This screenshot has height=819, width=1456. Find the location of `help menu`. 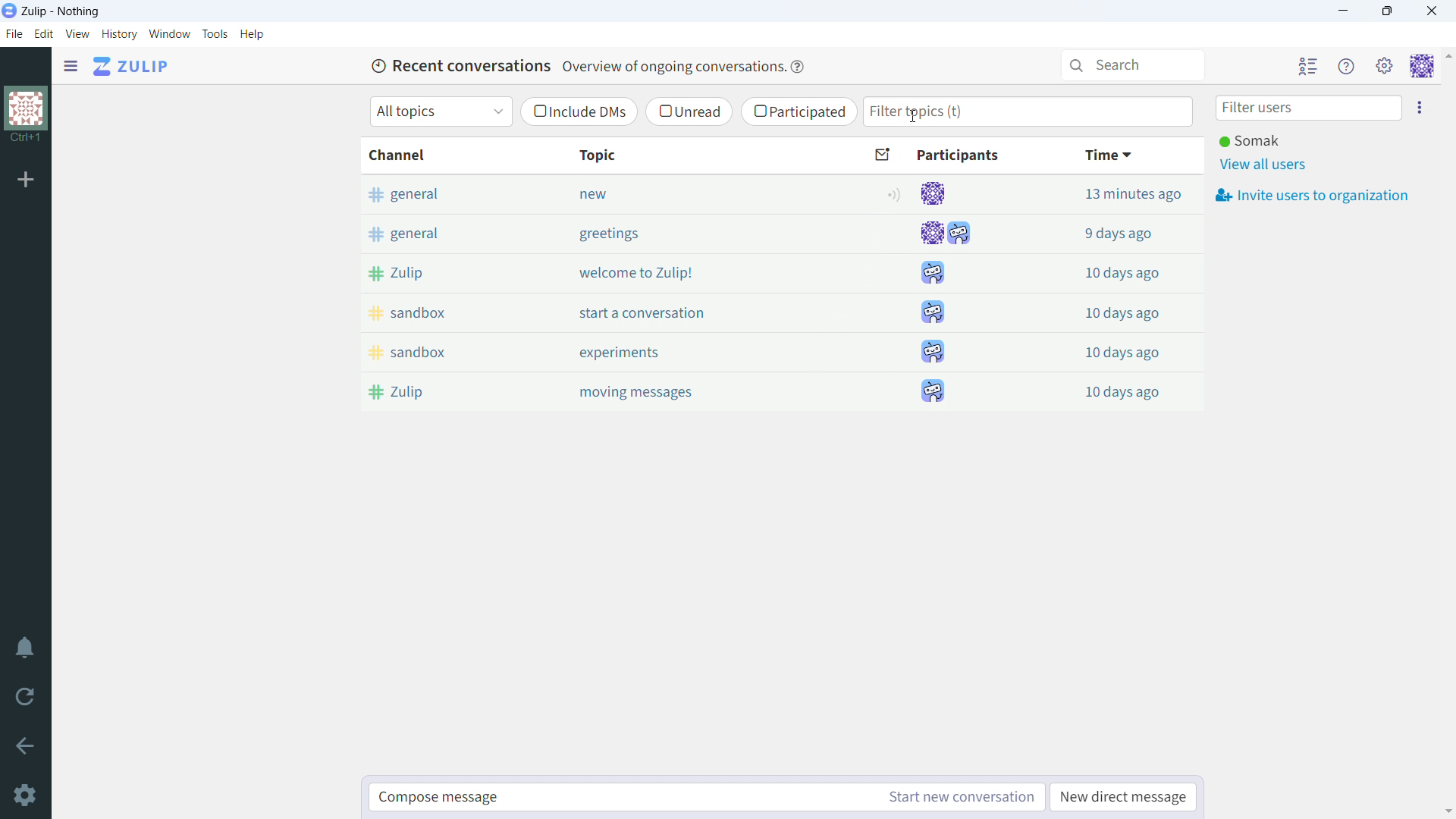

help menu is located at coordinates (1348, 67).